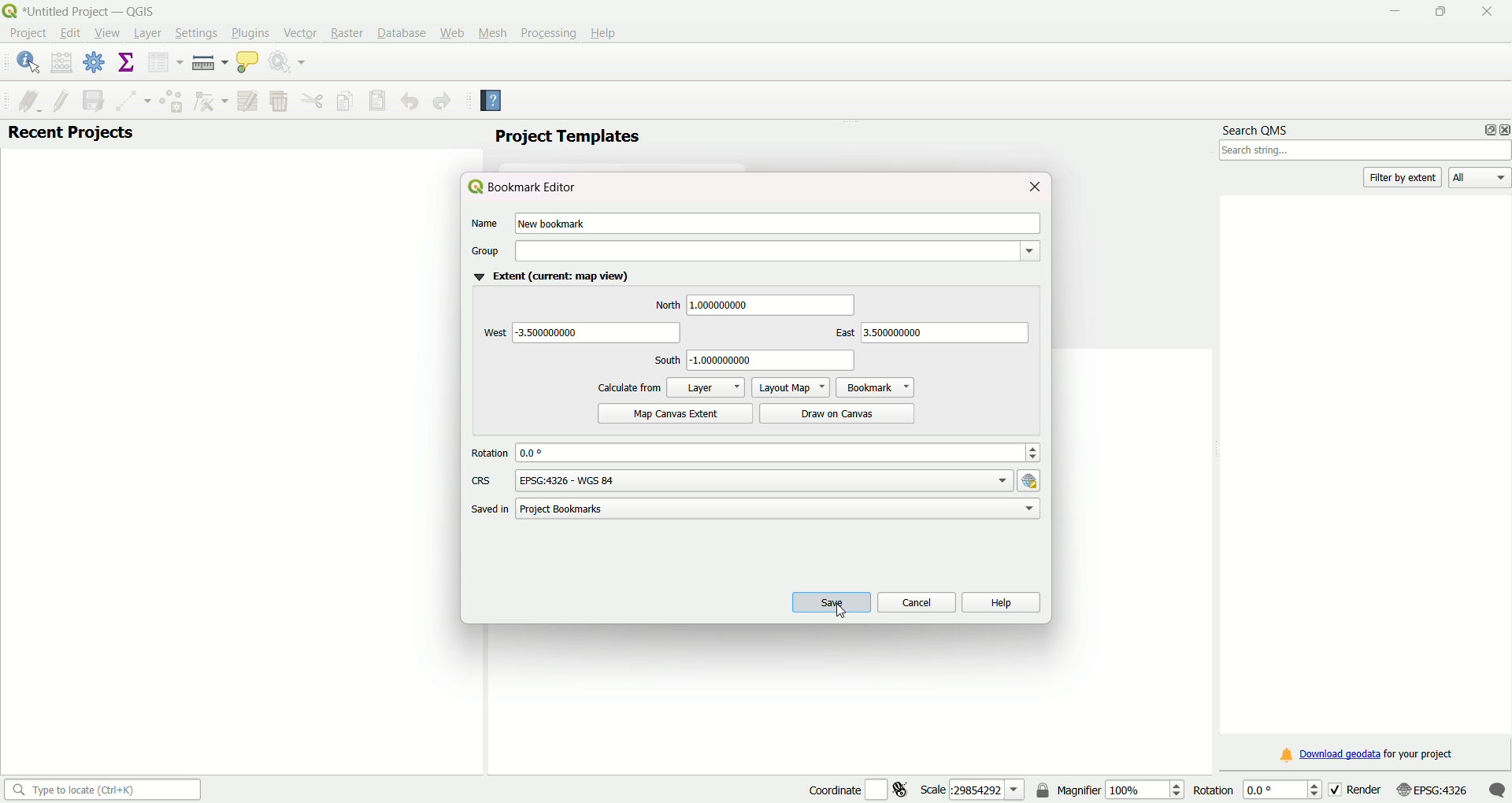 This screenshot has height=803, width=1512. I want to click on toggle edit, so click(61, 99).